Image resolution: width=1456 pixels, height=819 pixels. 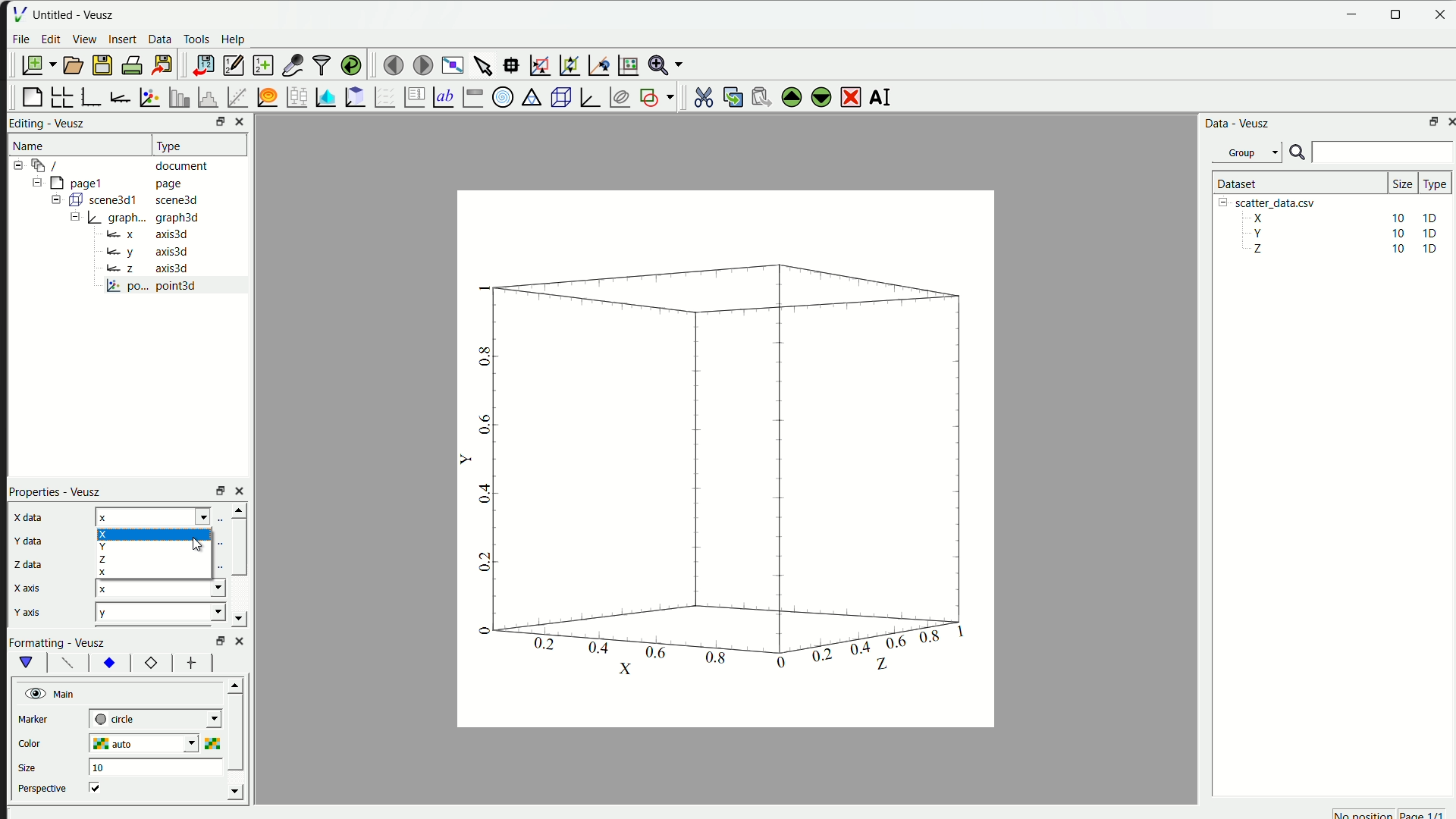 I want to click on select items from graph, so click(x=482, y=63).